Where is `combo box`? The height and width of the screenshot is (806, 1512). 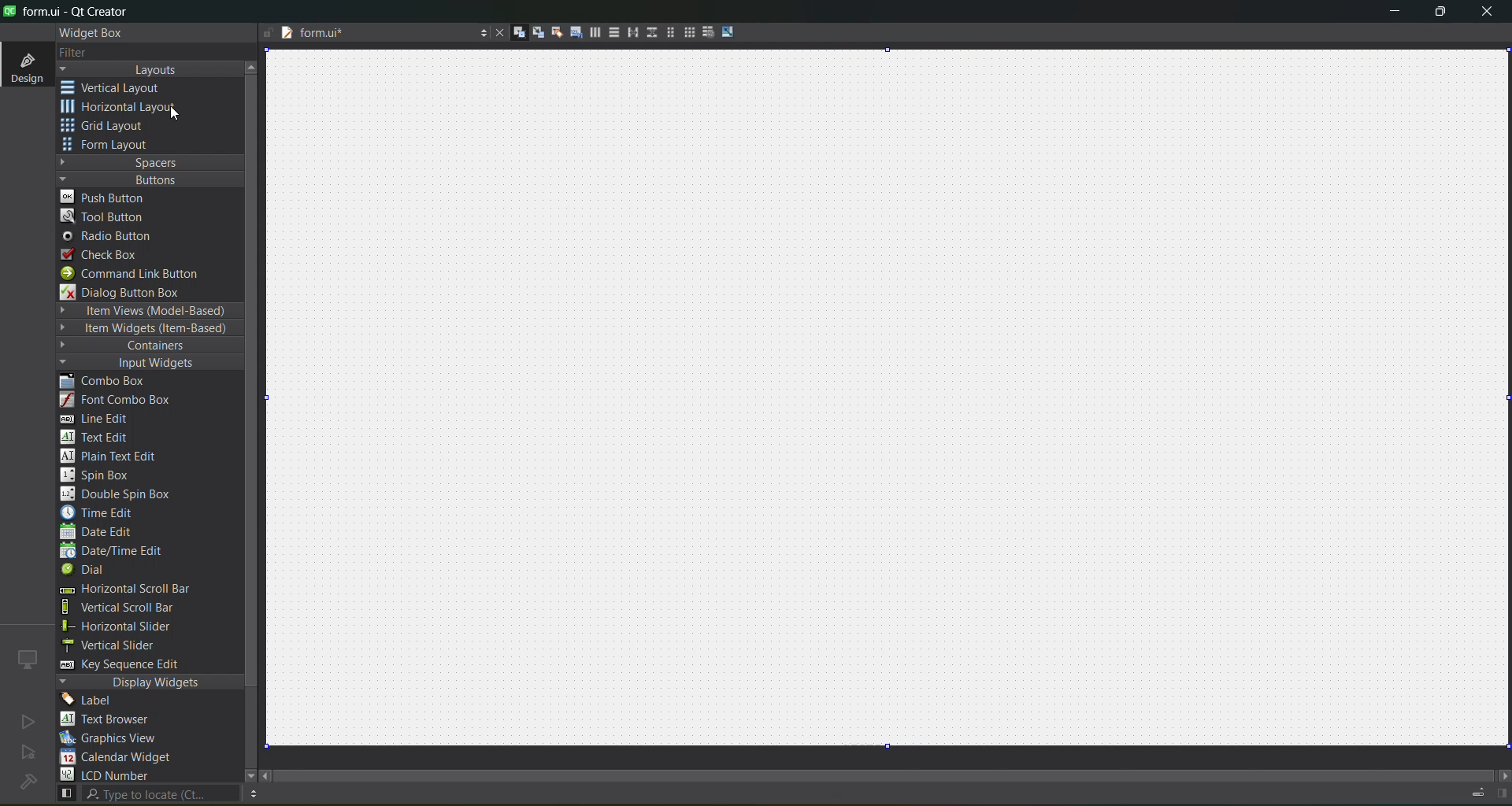 combo box is located at coordinates (114, 382).